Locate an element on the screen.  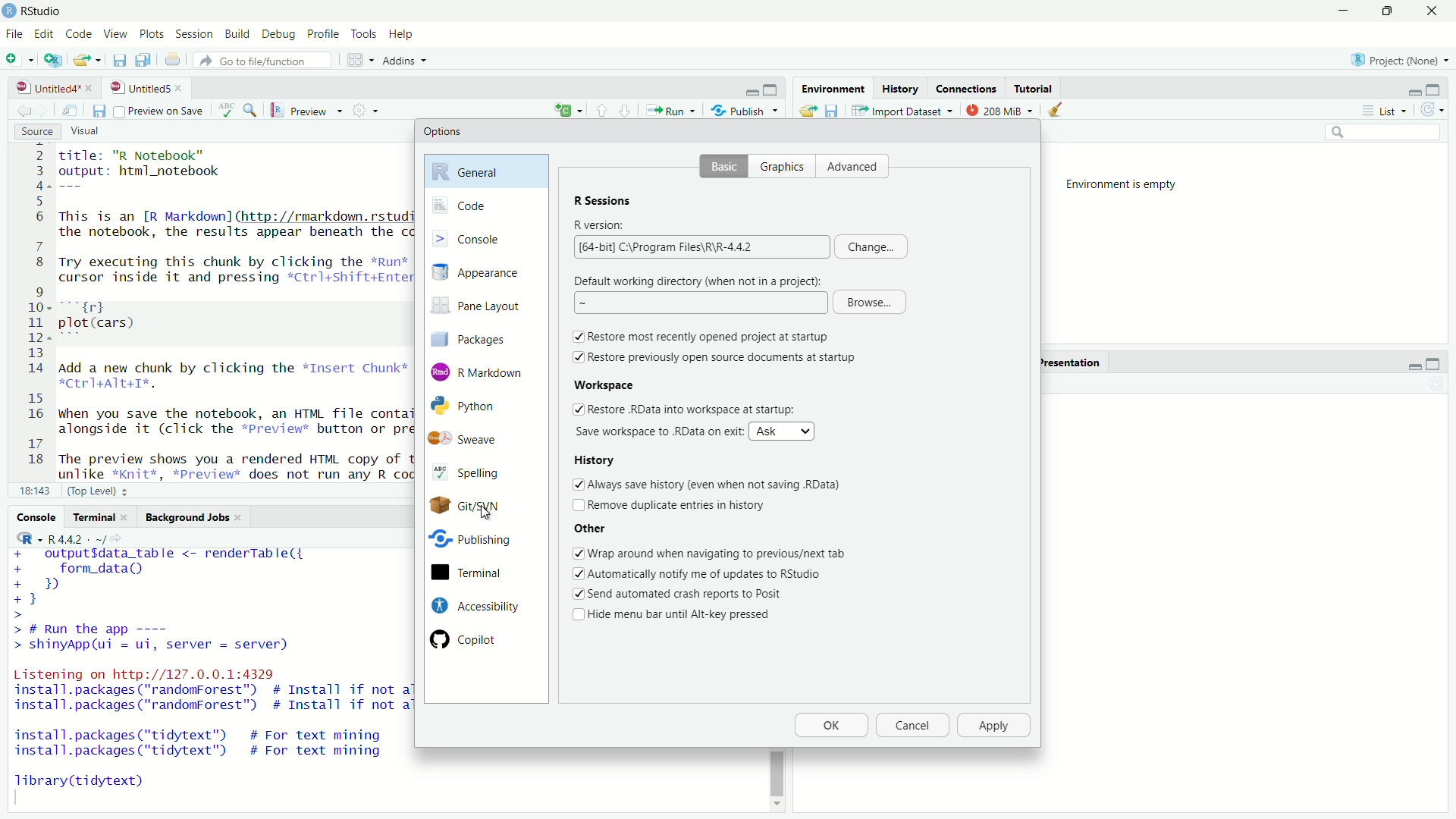
Addins is located at coordinates (408, 61).